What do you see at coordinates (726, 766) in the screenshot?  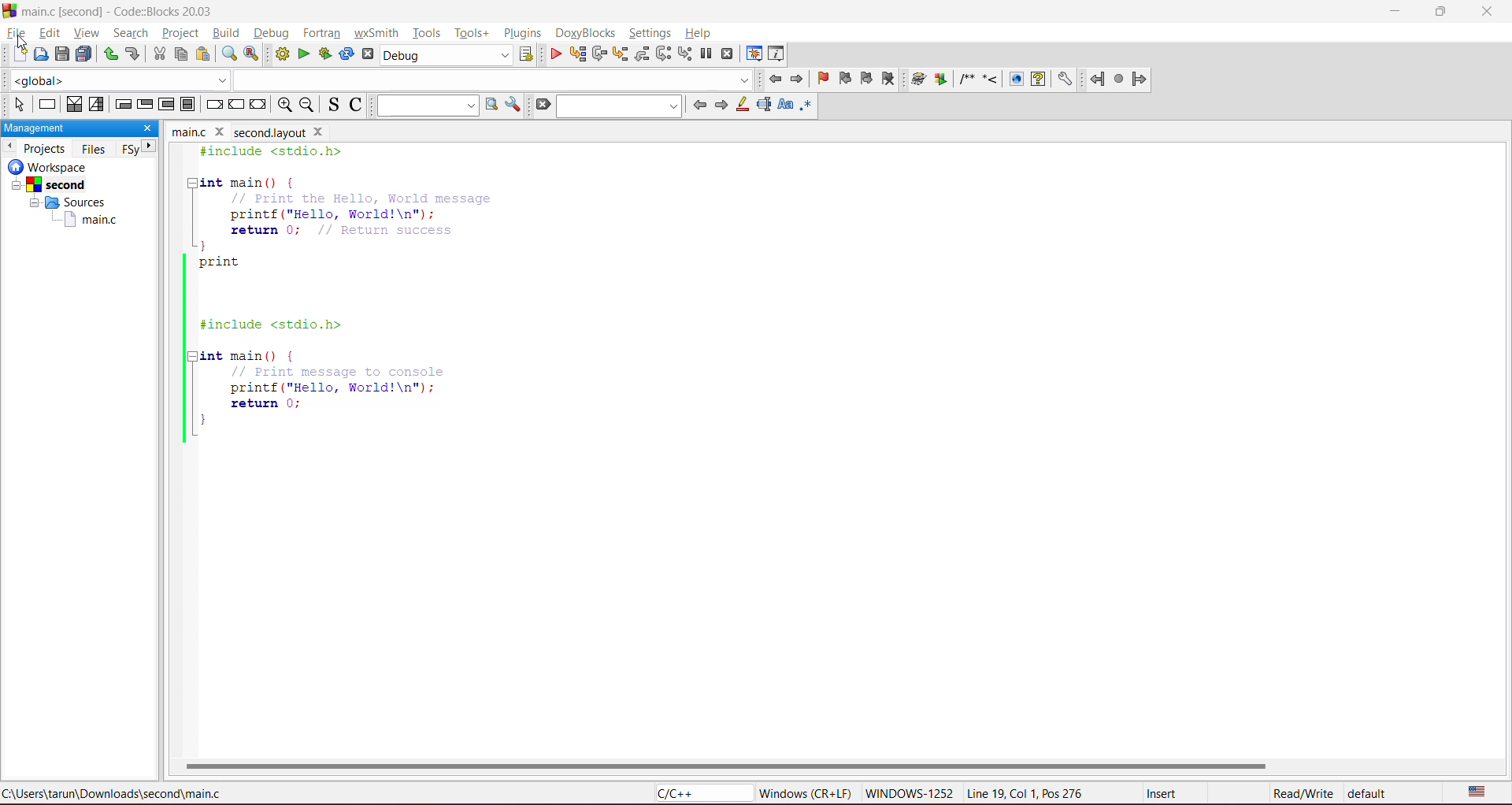 I see `horizontal scroll bar` at bounding box center [726, 766].